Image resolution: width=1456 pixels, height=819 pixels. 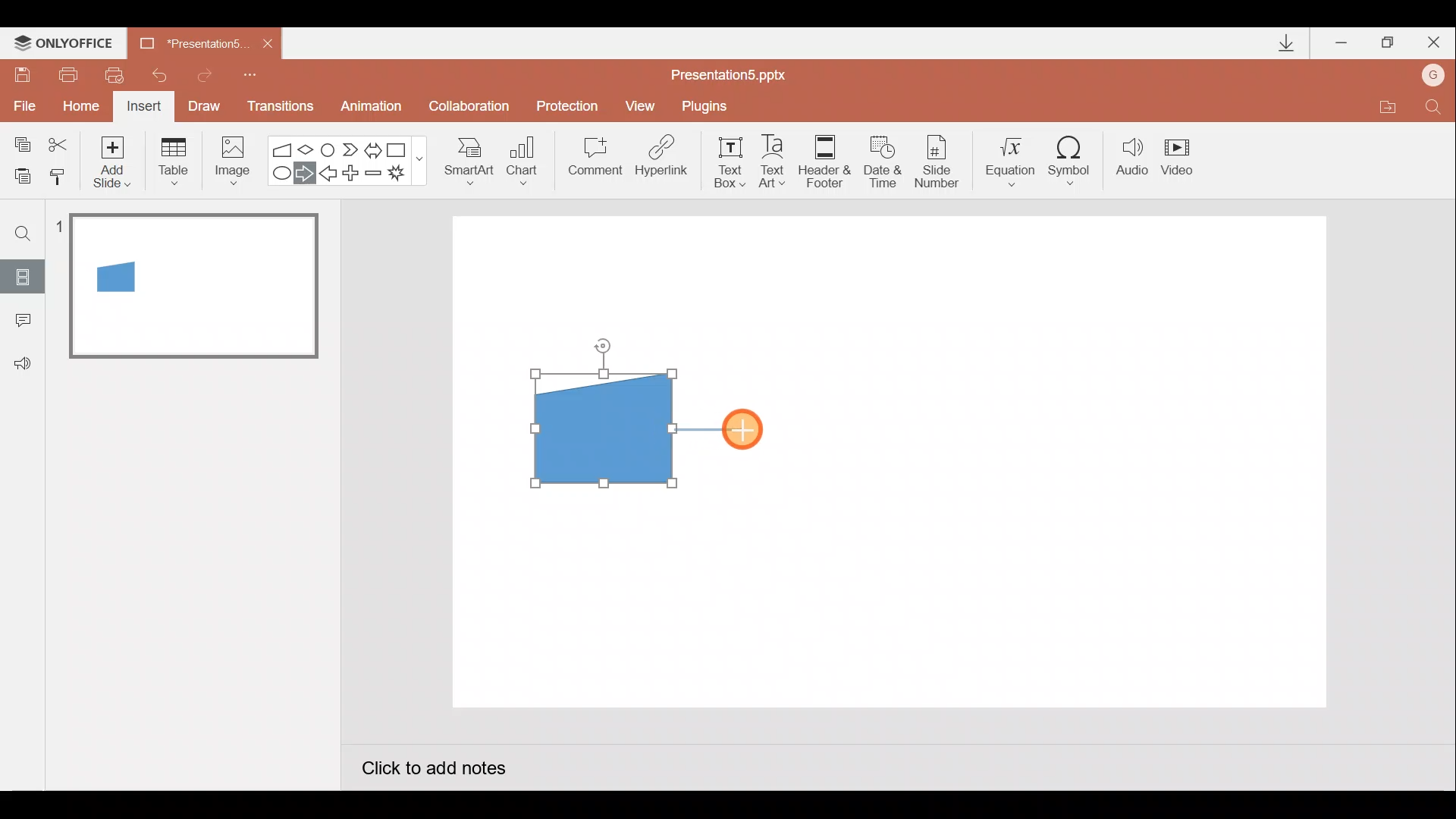 What do you see at coordinates (941, 162) in the screenshot?
I see `Slide number` at bounding box center [941, 162].